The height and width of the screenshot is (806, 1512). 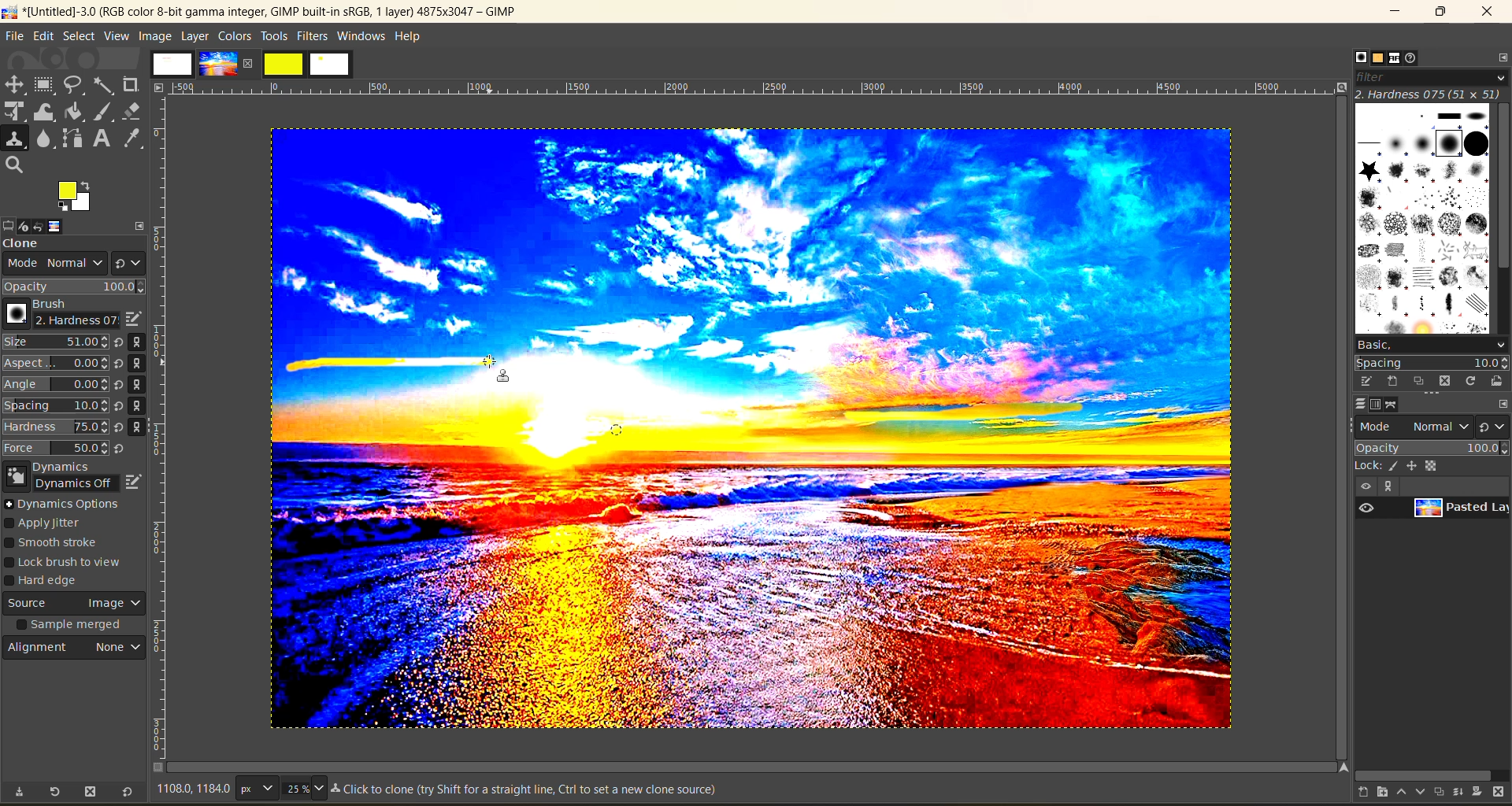 I want to click on switch to another group, so click(x=128, y=261).